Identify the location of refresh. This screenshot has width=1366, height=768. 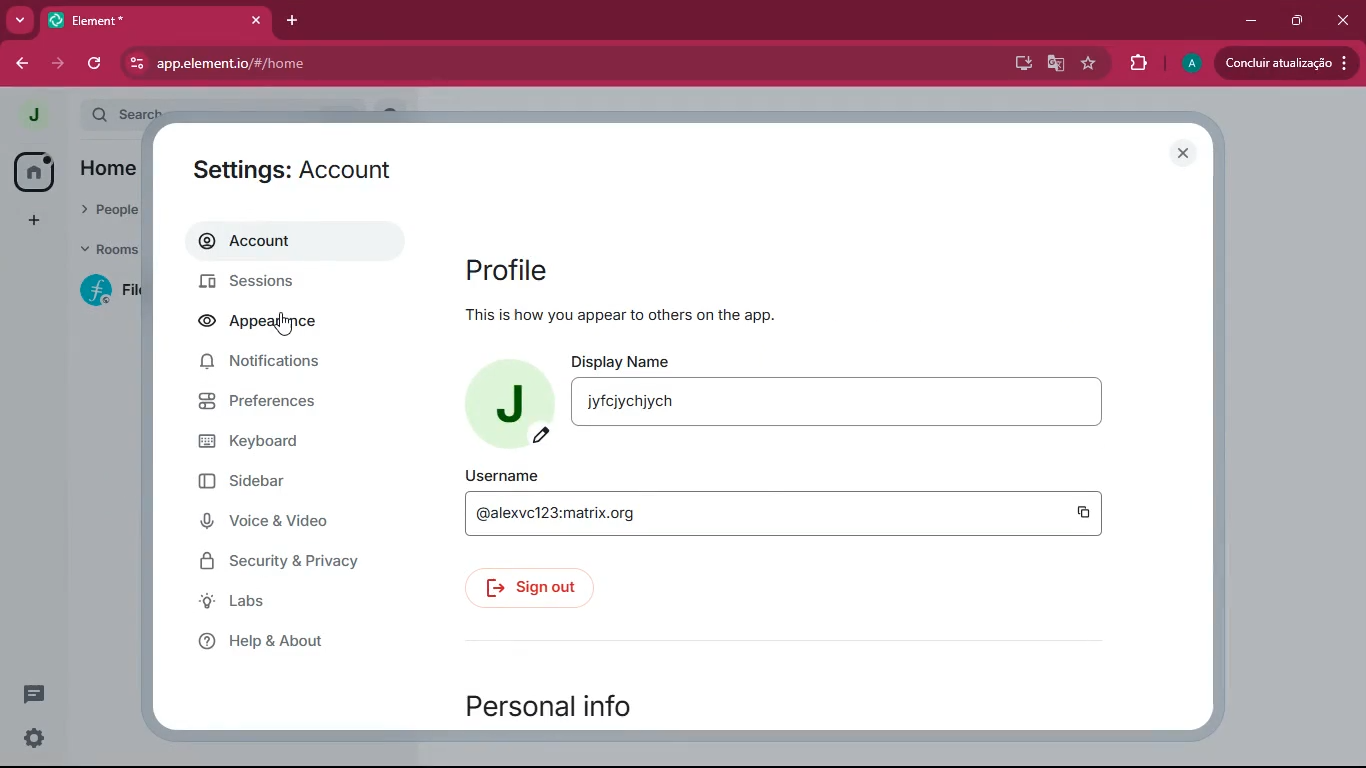
(93, 64).